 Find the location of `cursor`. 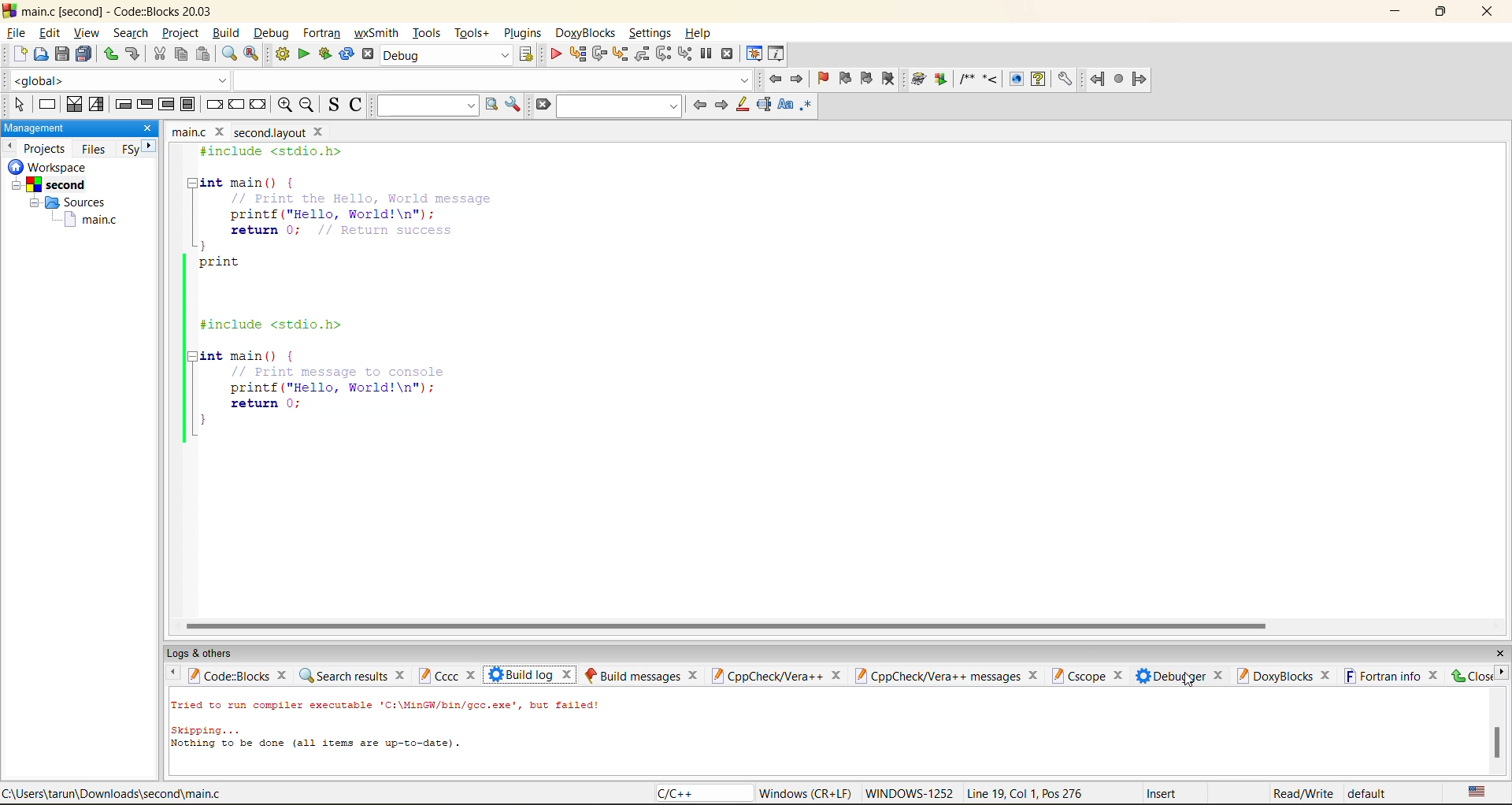

cursor is located at coordinates (1191, 679).